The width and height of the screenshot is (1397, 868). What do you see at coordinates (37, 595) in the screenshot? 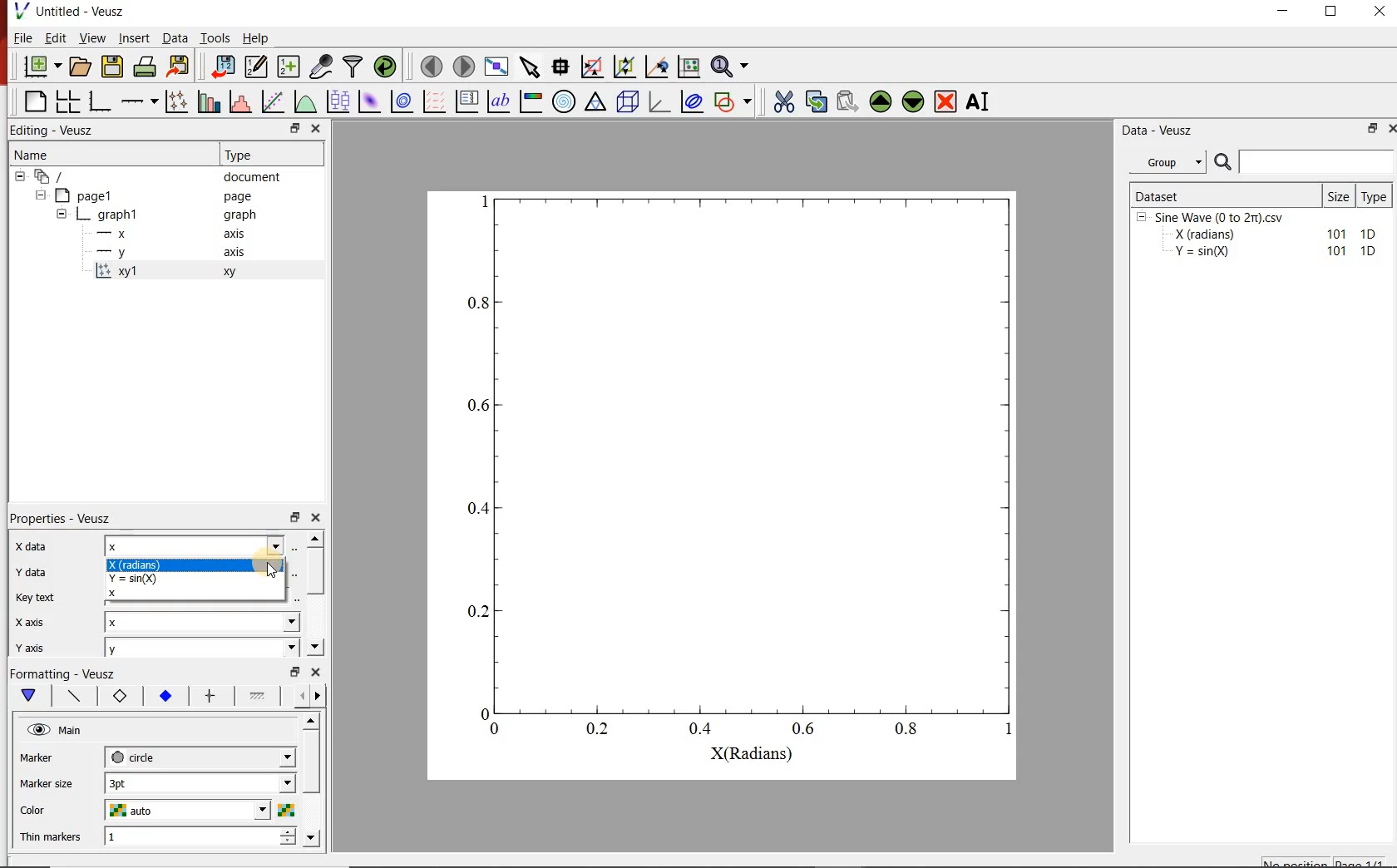
I see `Max` at bounding box center [37, 595].